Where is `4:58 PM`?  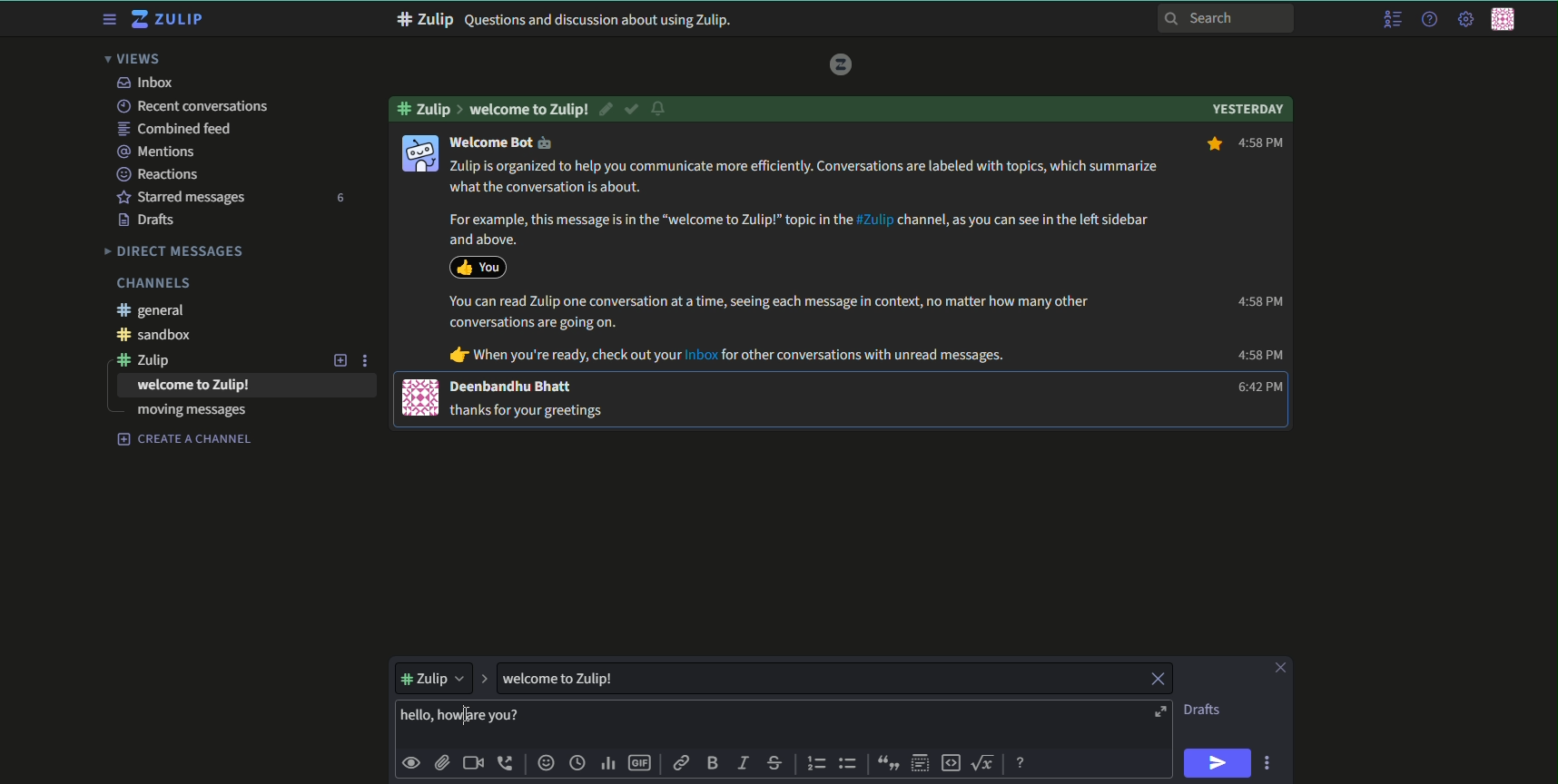
4:58 PM is located at coordinates (1245, 144).